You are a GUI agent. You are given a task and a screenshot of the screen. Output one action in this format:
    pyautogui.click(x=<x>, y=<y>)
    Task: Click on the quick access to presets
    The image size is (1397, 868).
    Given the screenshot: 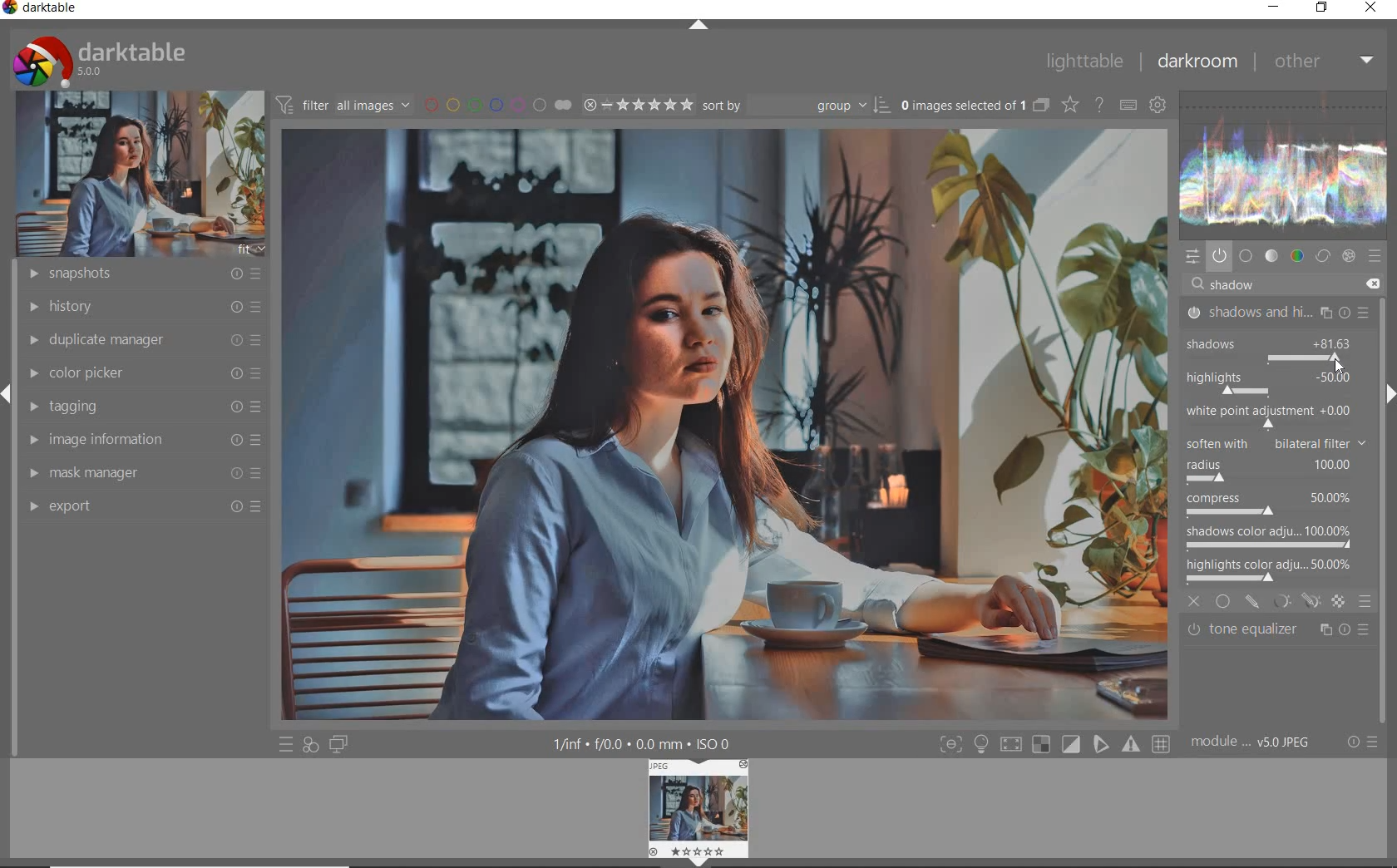 What is the action you would take?
    pyautogui.click(x=286, y=744)
    